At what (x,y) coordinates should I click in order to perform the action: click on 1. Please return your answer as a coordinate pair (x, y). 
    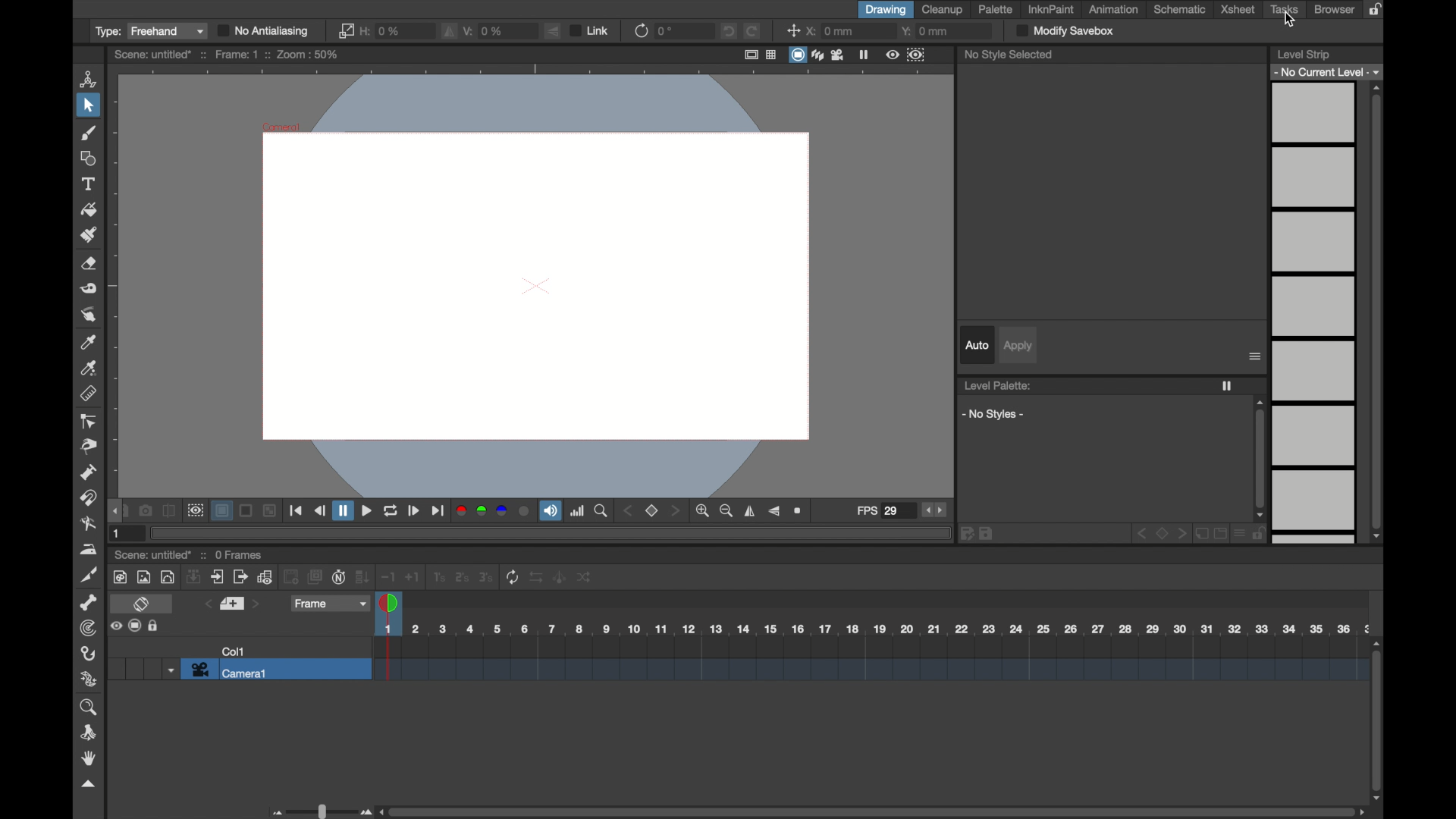
    Looking at the image, I should click on (118, 534).